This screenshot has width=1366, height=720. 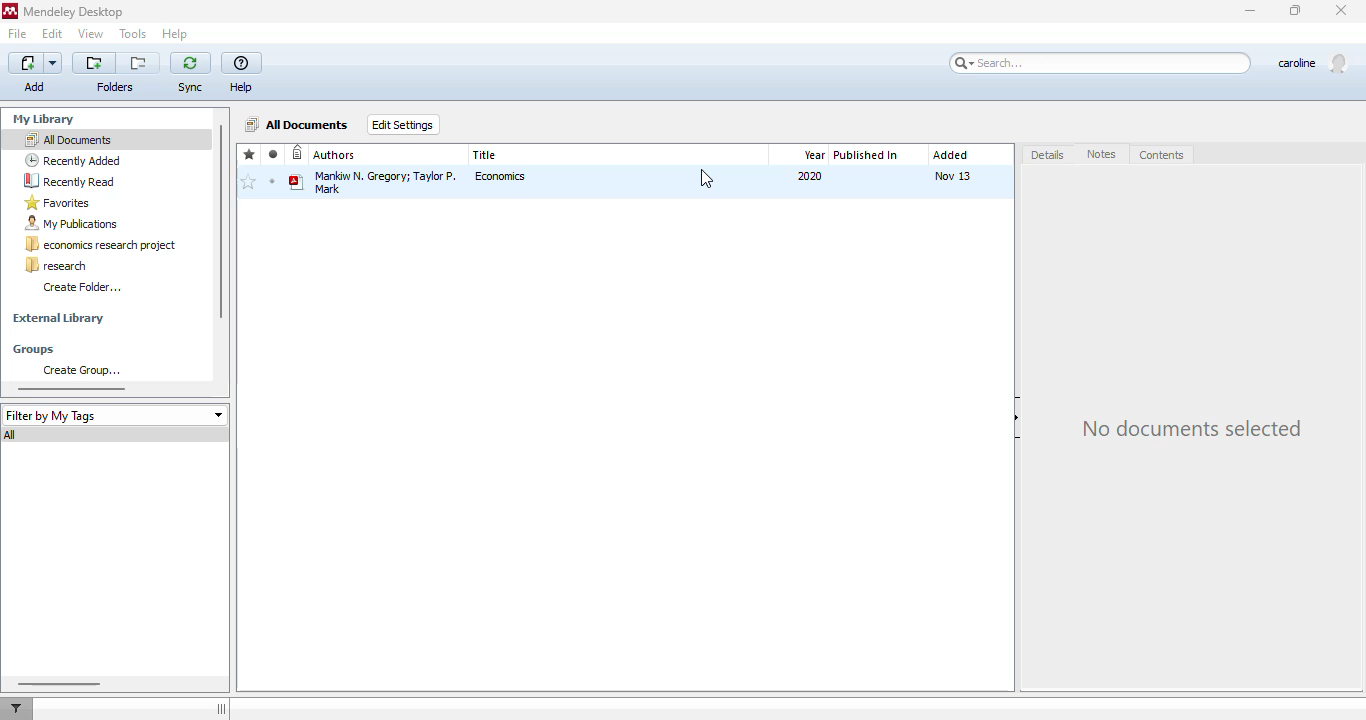 What do you see at coordinates (58, 203) in the screenshot?
I see `favorites` at bounding box center [58, 203].